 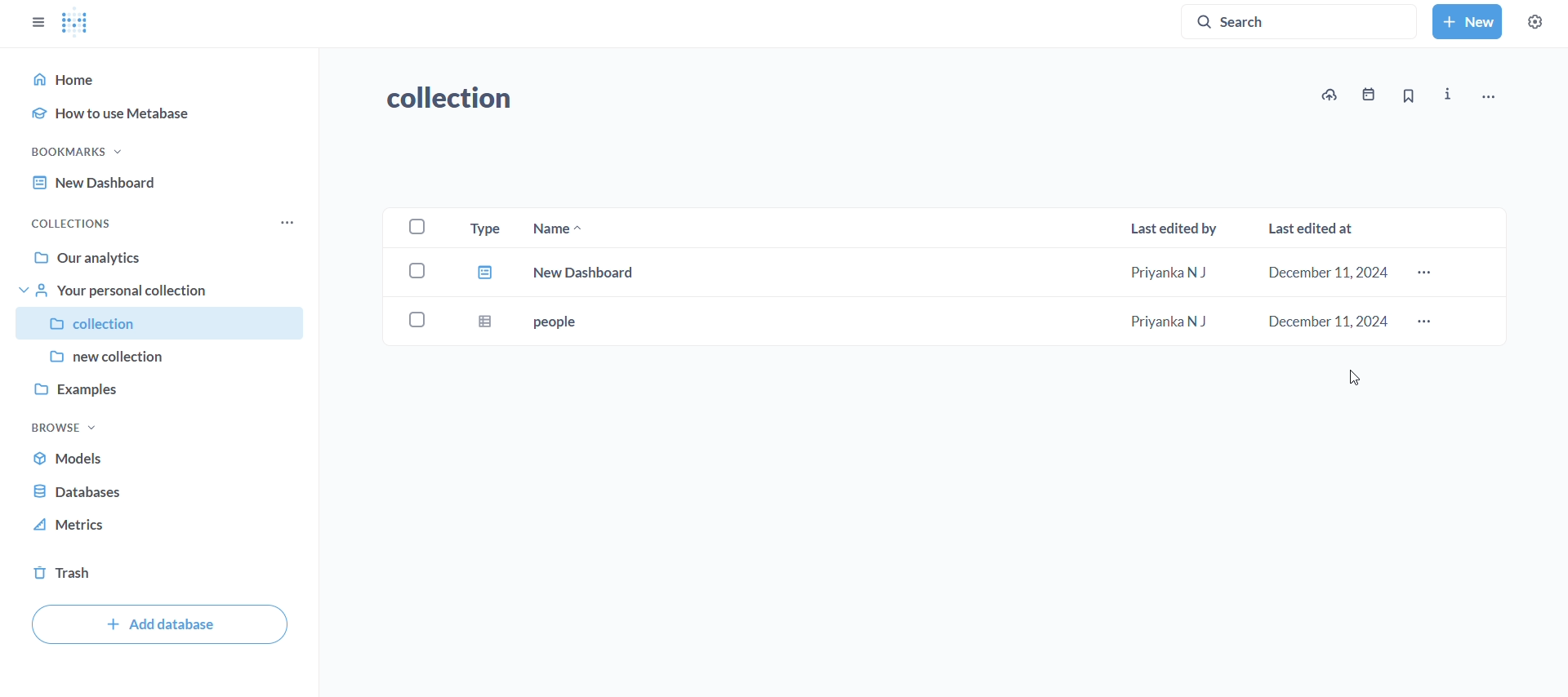 I want to click on close sidebar, so click(x=37, y=22).